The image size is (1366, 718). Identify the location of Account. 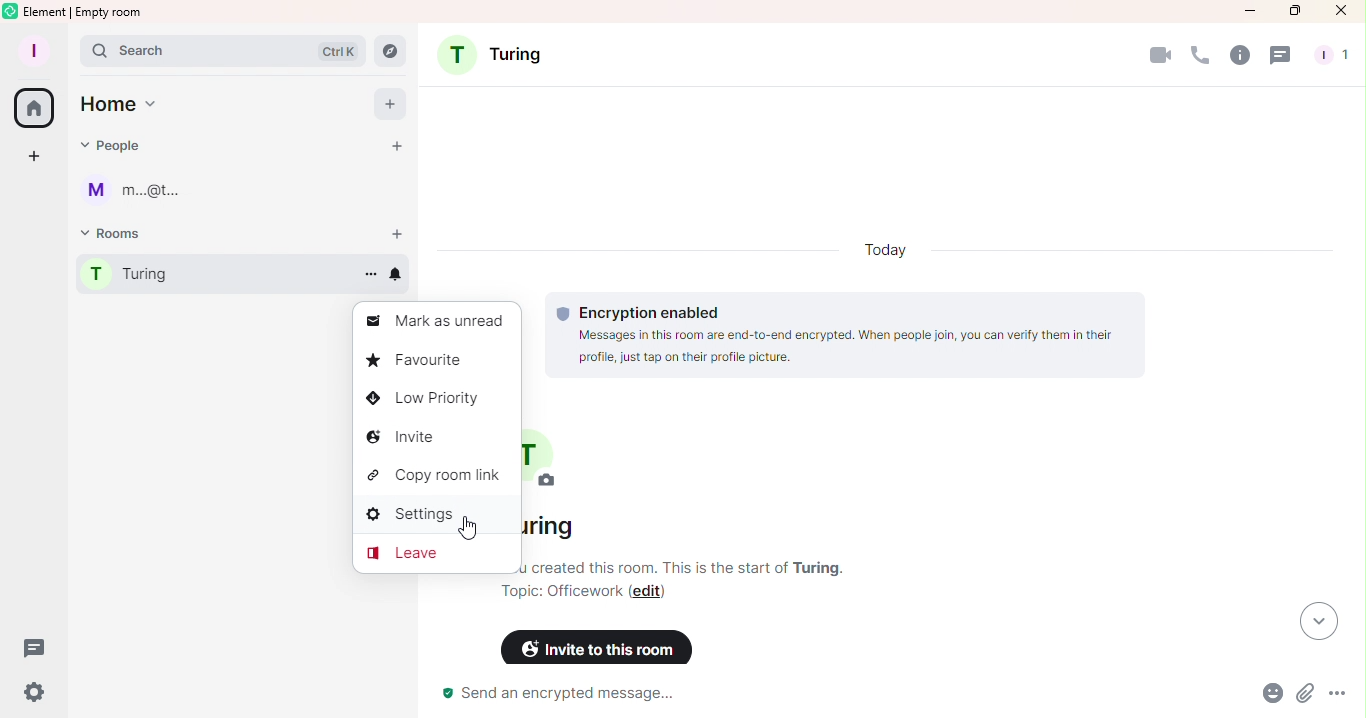
(39, 48).